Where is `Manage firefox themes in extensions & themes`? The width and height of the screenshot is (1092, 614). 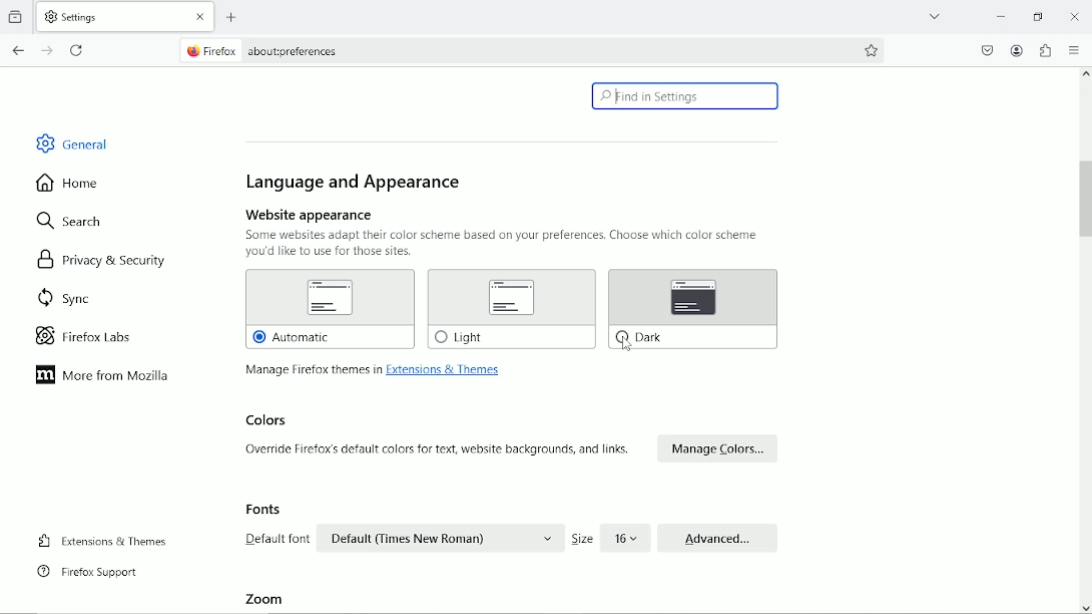 Manage firefox themes in extensions & themes is located at coordinates (373, 371).